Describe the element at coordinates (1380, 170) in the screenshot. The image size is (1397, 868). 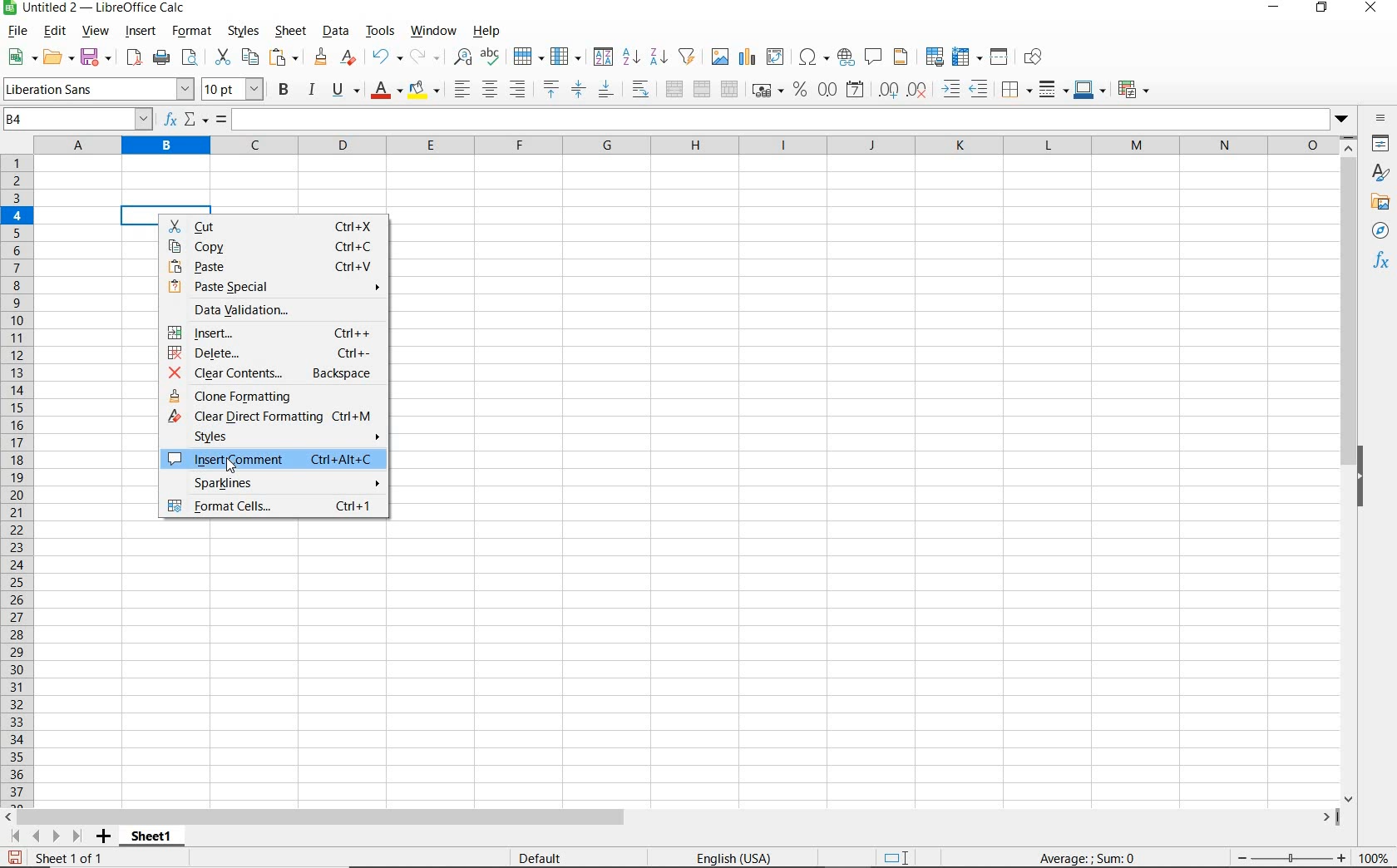
I see `styles` at that location.